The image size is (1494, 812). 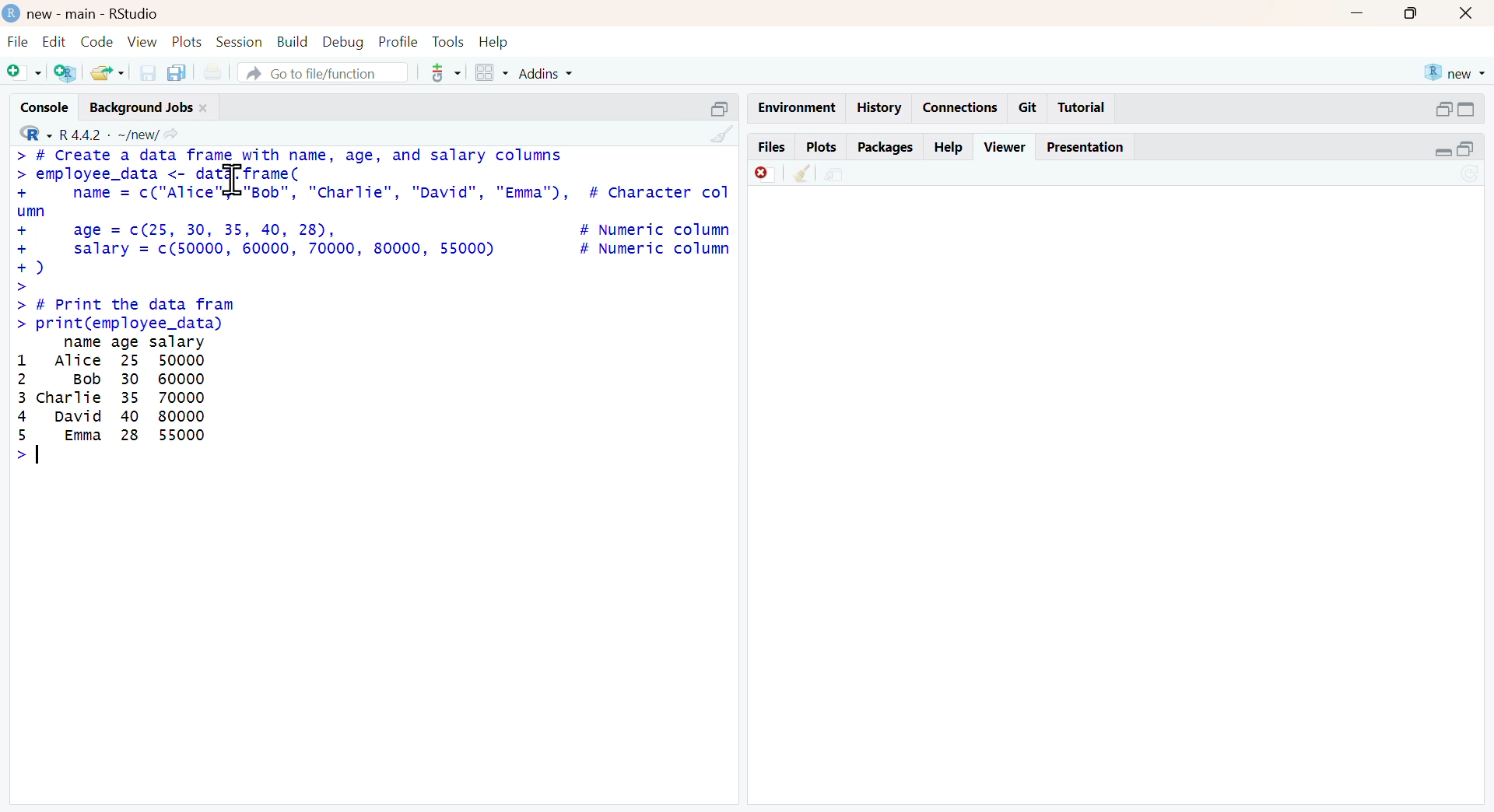 I want to click on Tutorial, so click(x=1086, y=107).